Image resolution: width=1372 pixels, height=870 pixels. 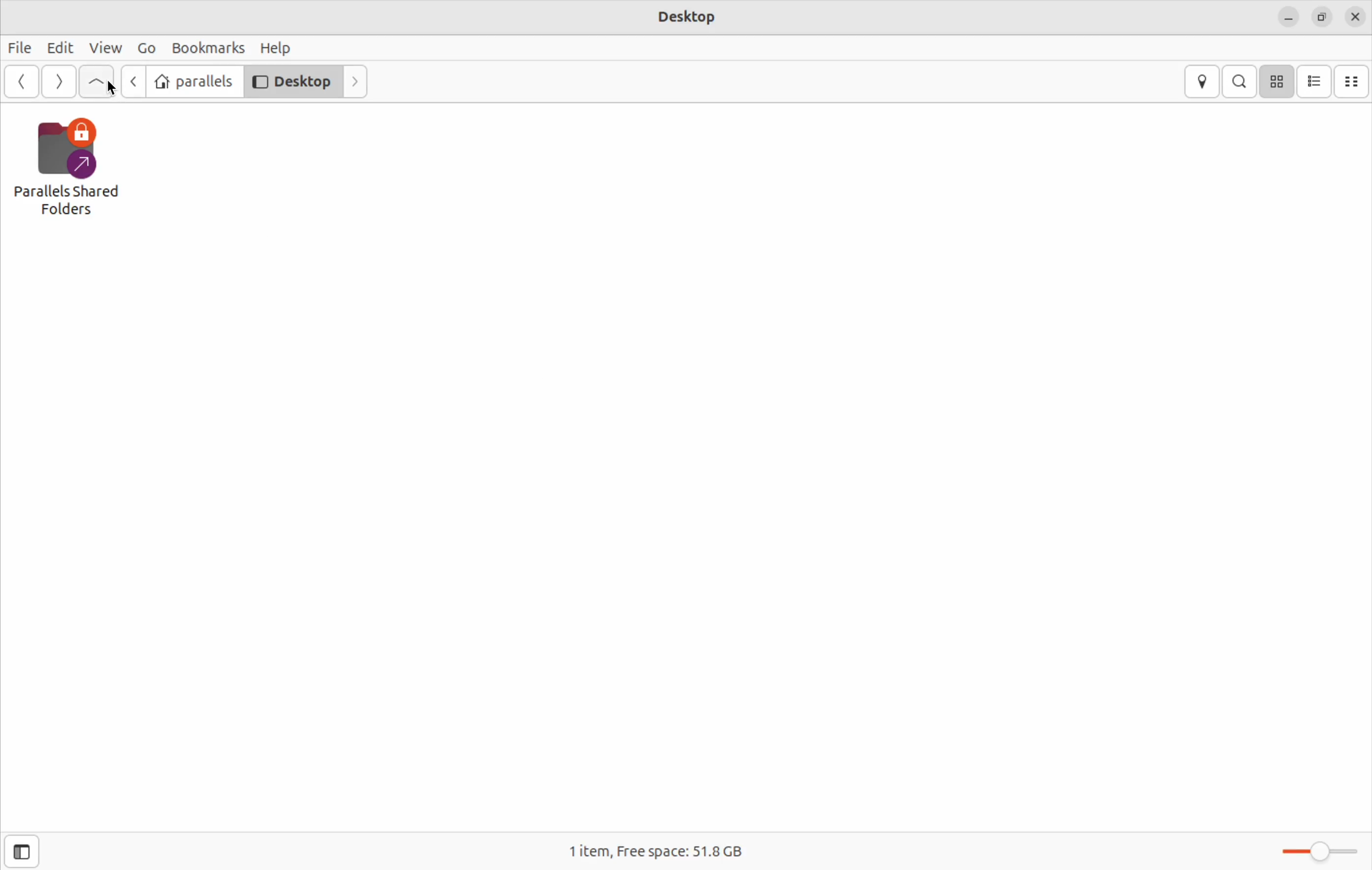 What do you see at coordinates (104, 49) in the screenshot?
I see `view` at bounding box center [104, 49].